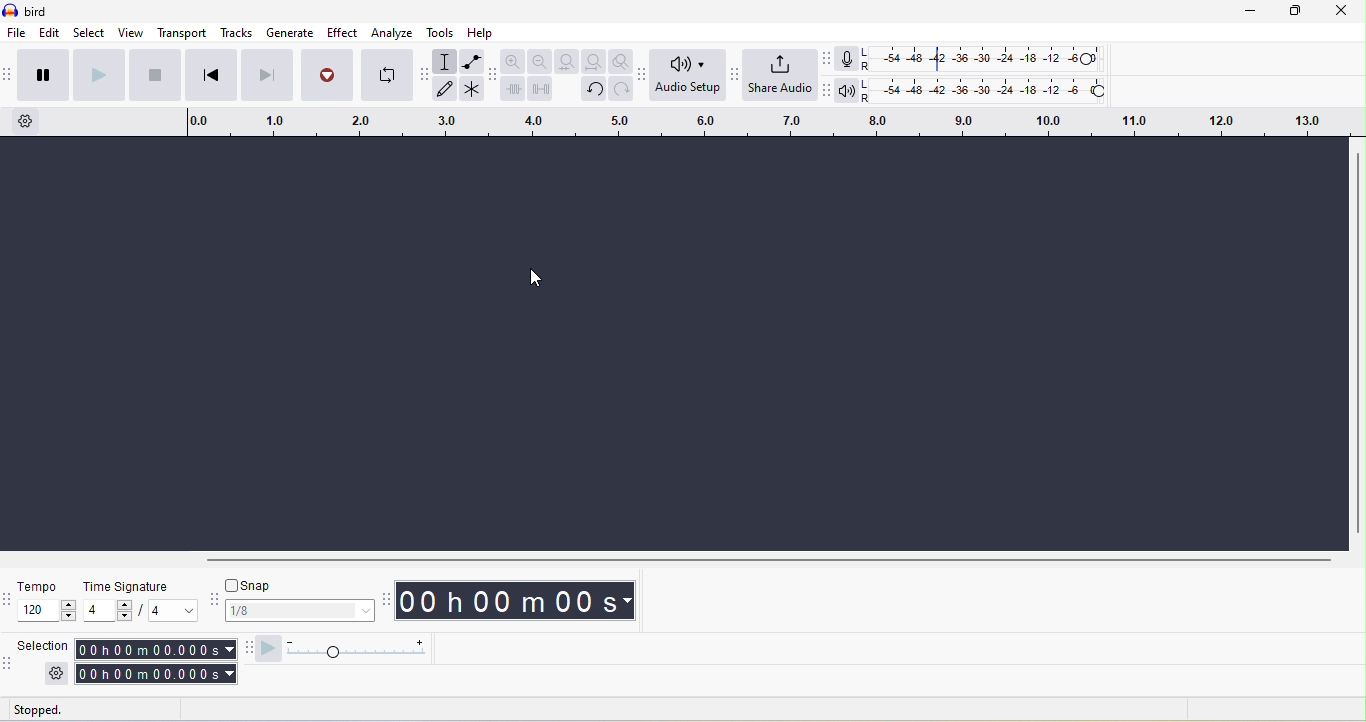 The height and width of the screenshot is (722, 1366). I want to click on audacity share audio toolbar, so click(735, 73).